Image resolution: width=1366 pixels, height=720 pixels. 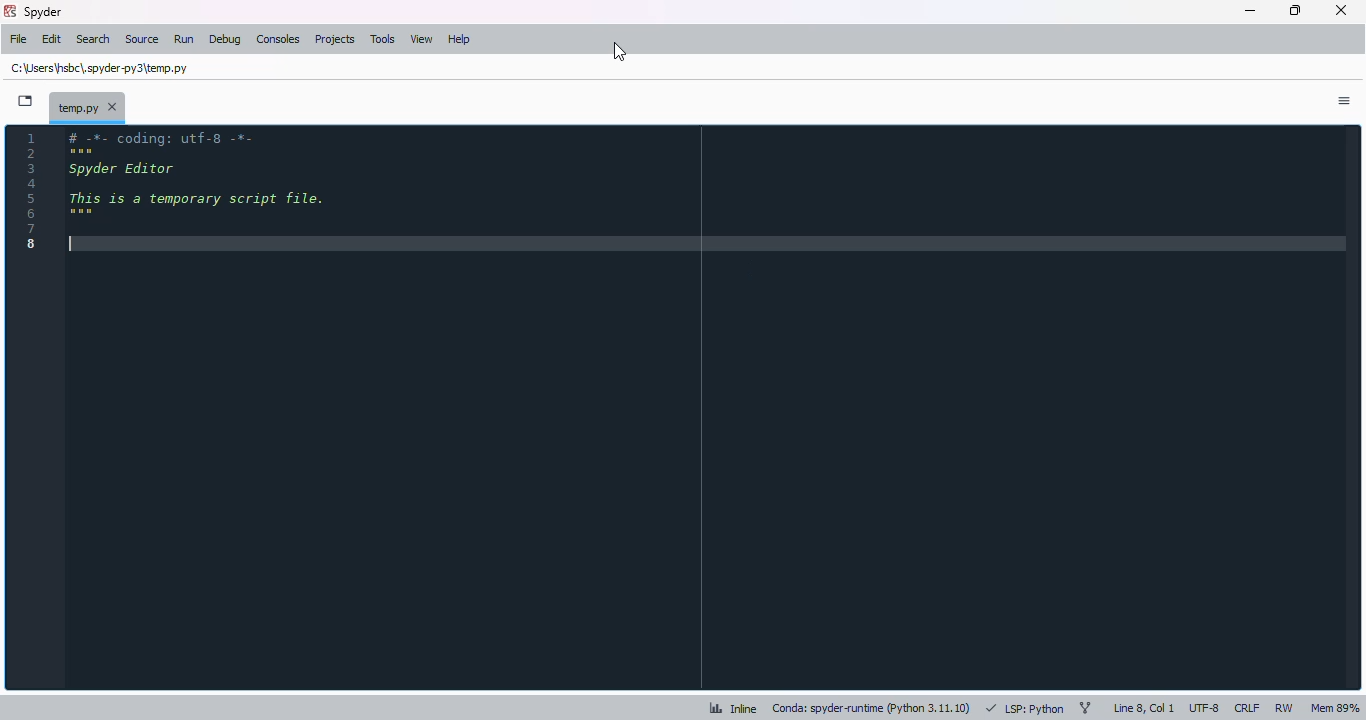 What do you see at coordinates (1345, 101) in the screenshot?
I see `options` at bounding box center [1345, 101].